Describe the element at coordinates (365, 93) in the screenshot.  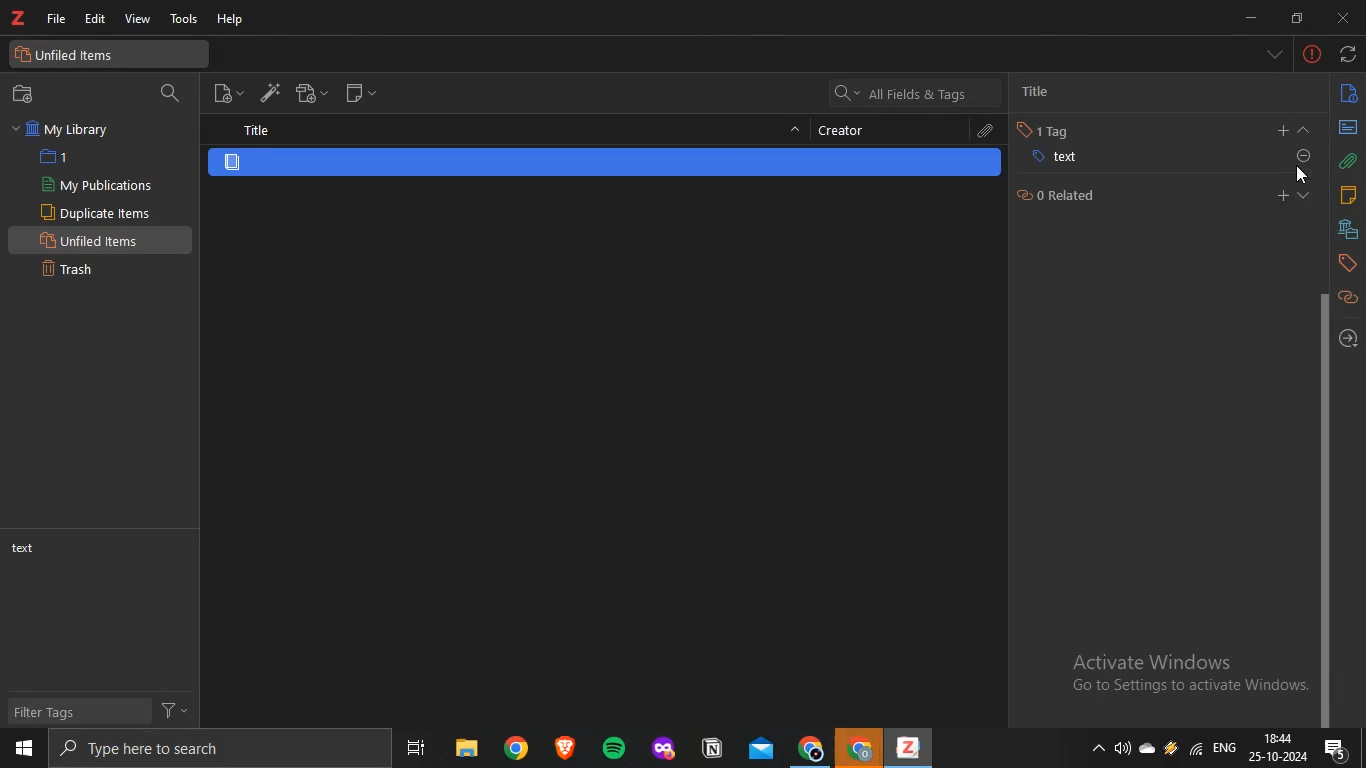
I see `new note` at that location.